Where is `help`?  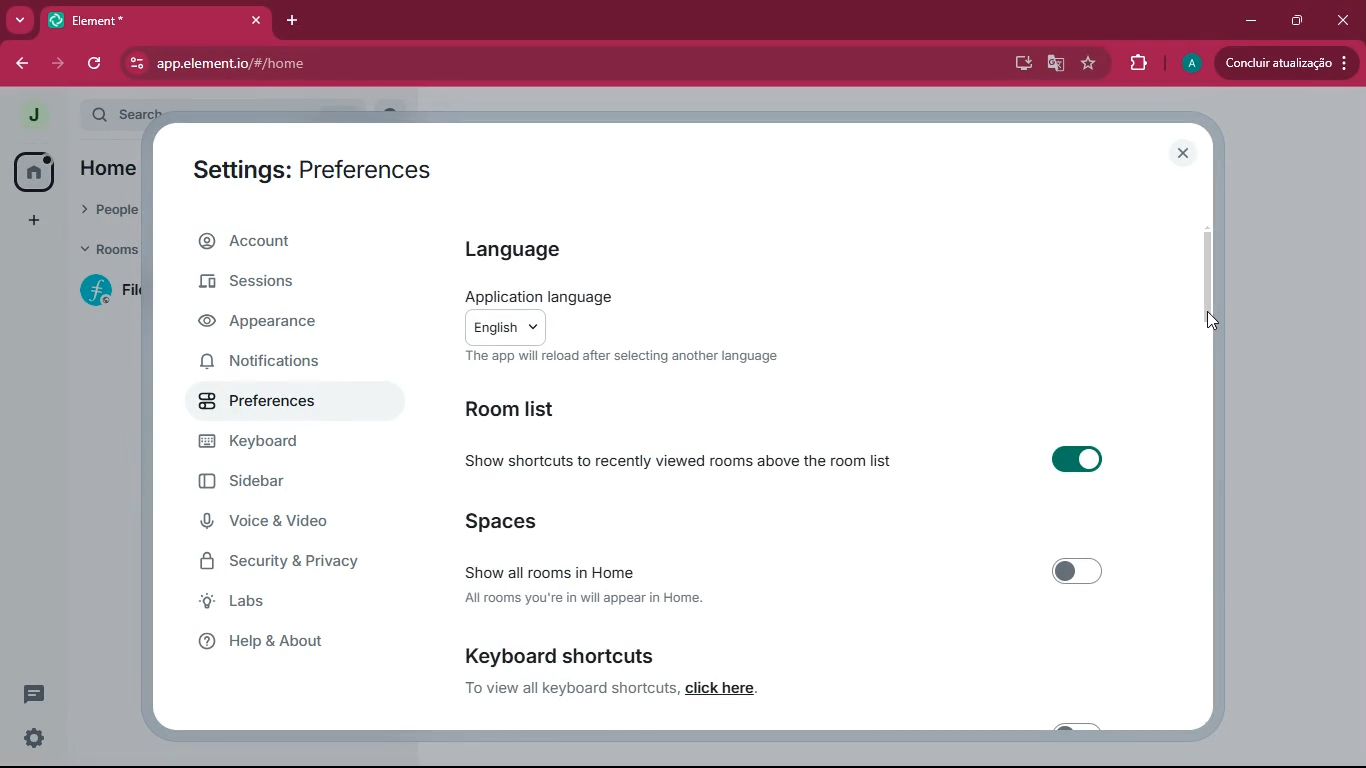
help is located at coordinates (277, 641).